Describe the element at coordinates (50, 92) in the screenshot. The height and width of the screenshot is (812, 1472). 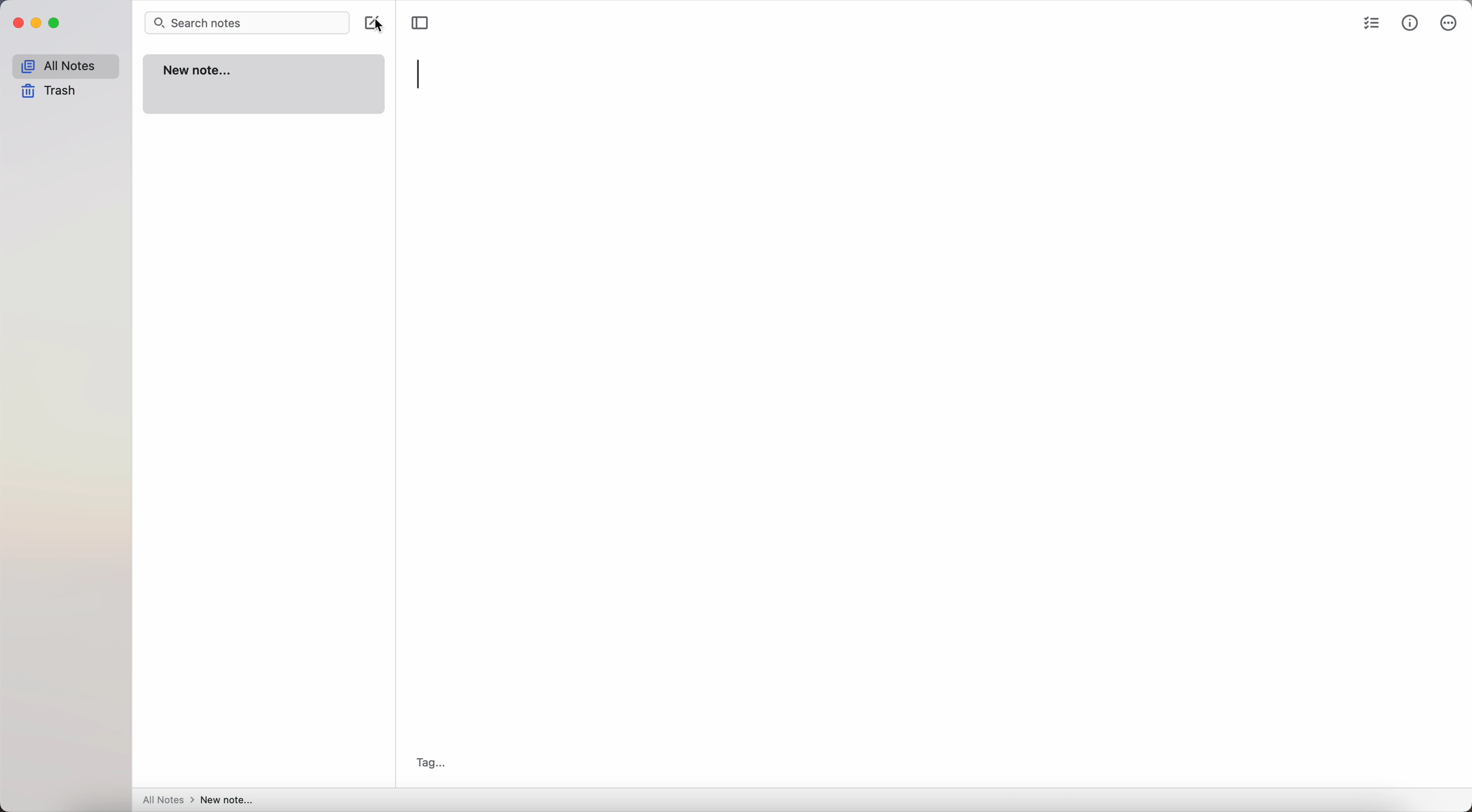
I see `trash` at that location.